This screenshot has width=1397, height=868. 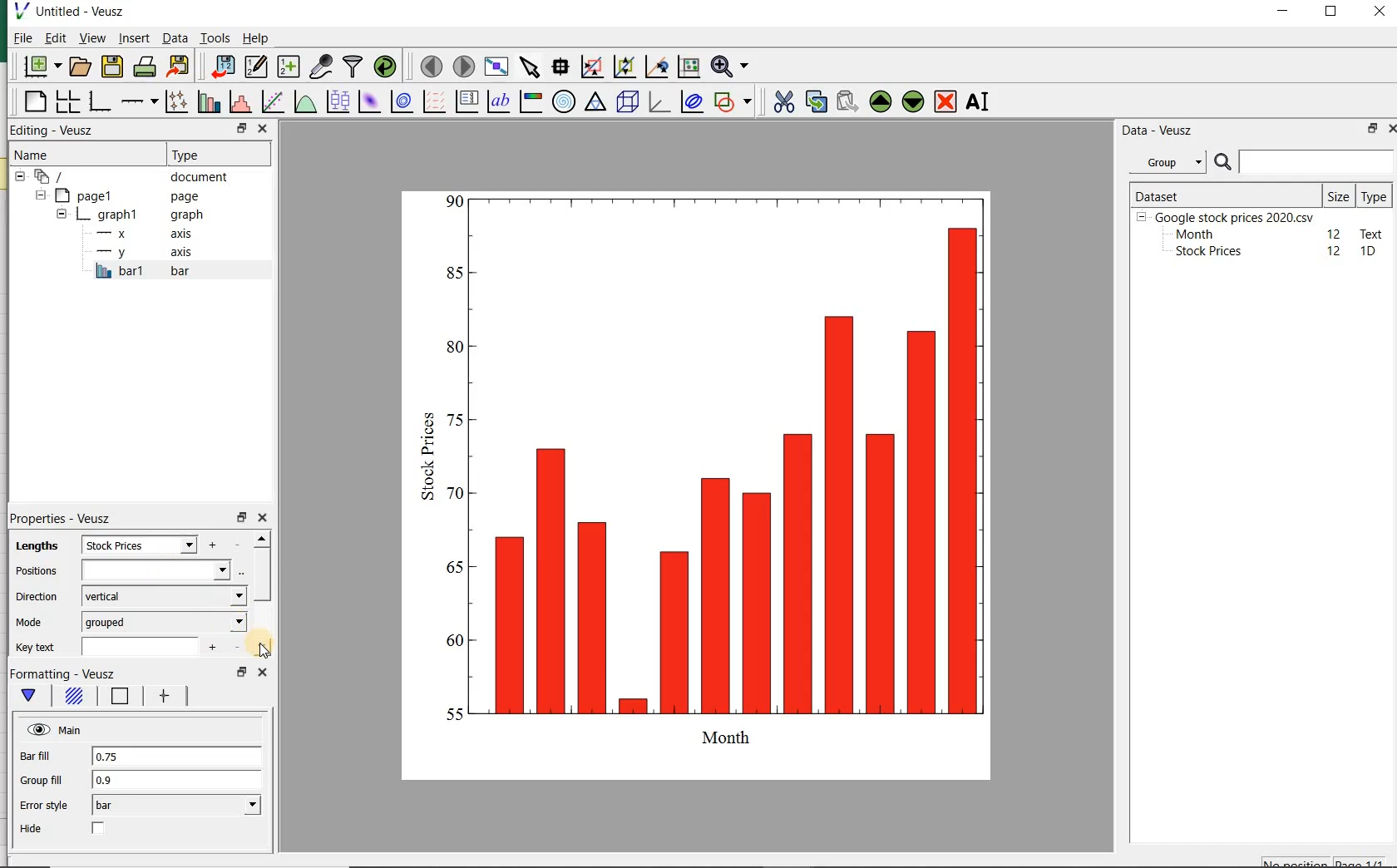 What do you see at coordinates (321, 67) in the screenshot?
I see `capture remote data` at bounding box center [321, 67].